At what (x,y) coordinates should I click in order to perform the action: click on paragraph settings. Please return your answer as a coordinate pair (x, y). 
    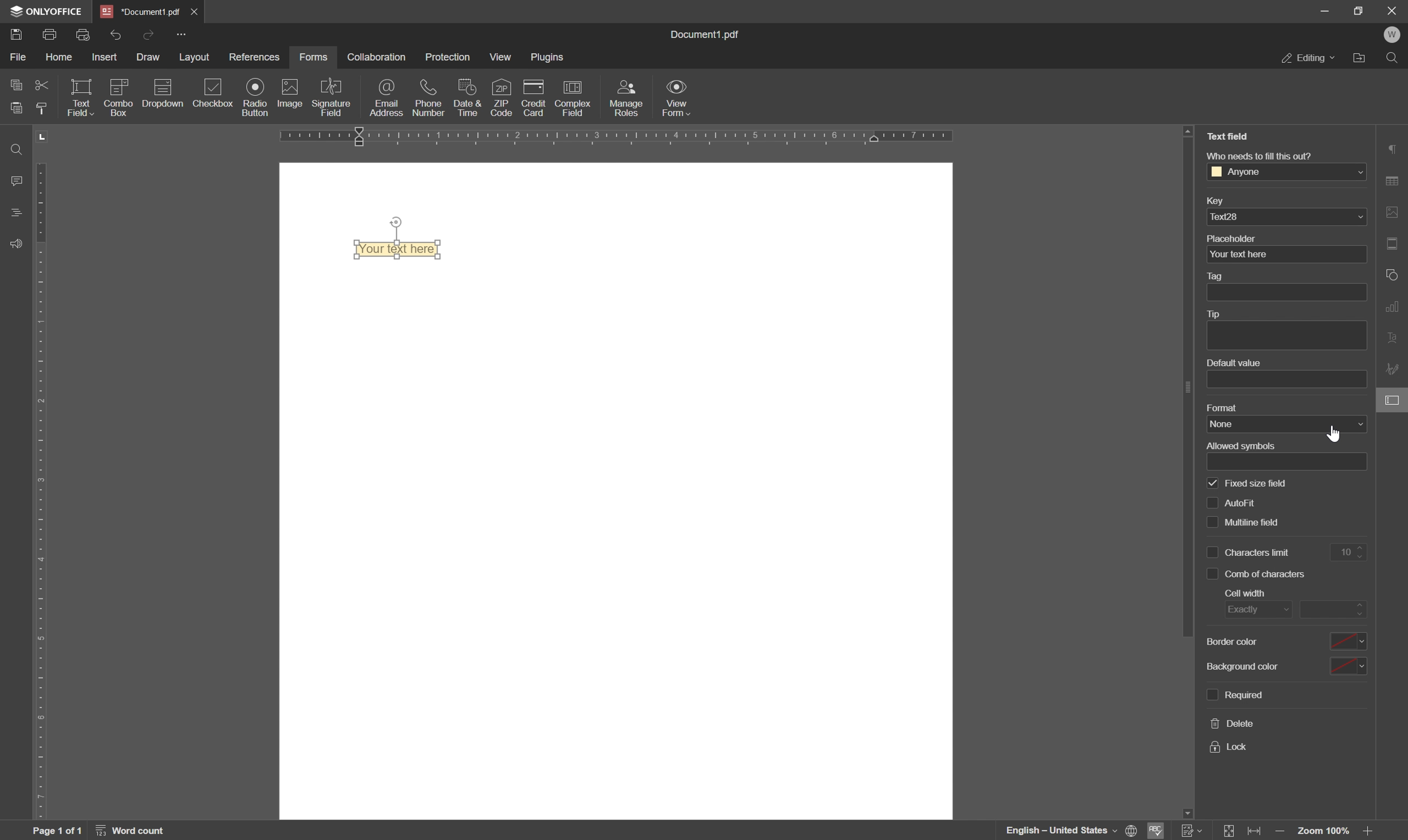
    Looking at the image, I should click on (1396, 148).